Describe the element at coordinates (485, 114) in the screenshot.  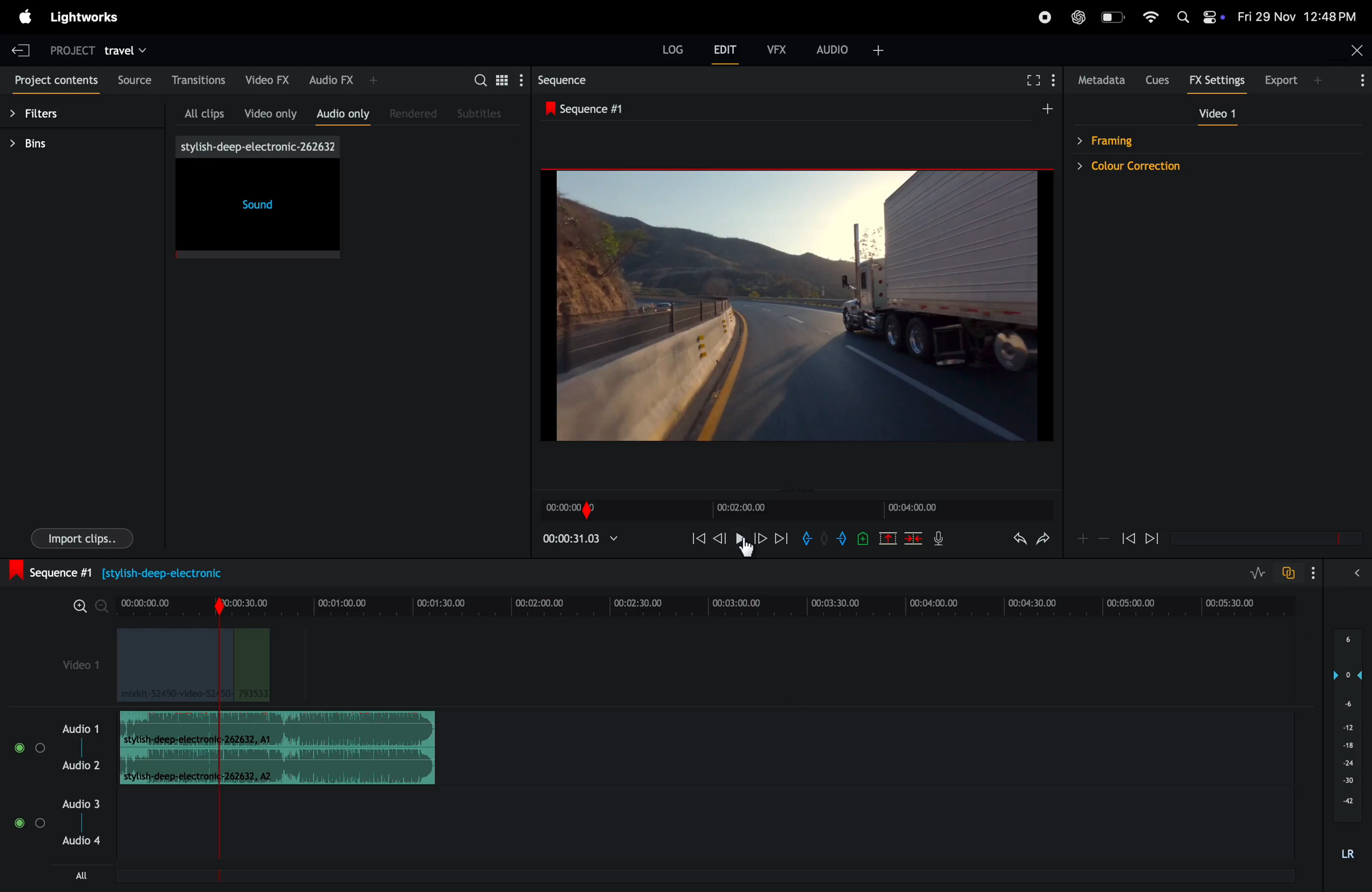
I see `subtitles` at that location.